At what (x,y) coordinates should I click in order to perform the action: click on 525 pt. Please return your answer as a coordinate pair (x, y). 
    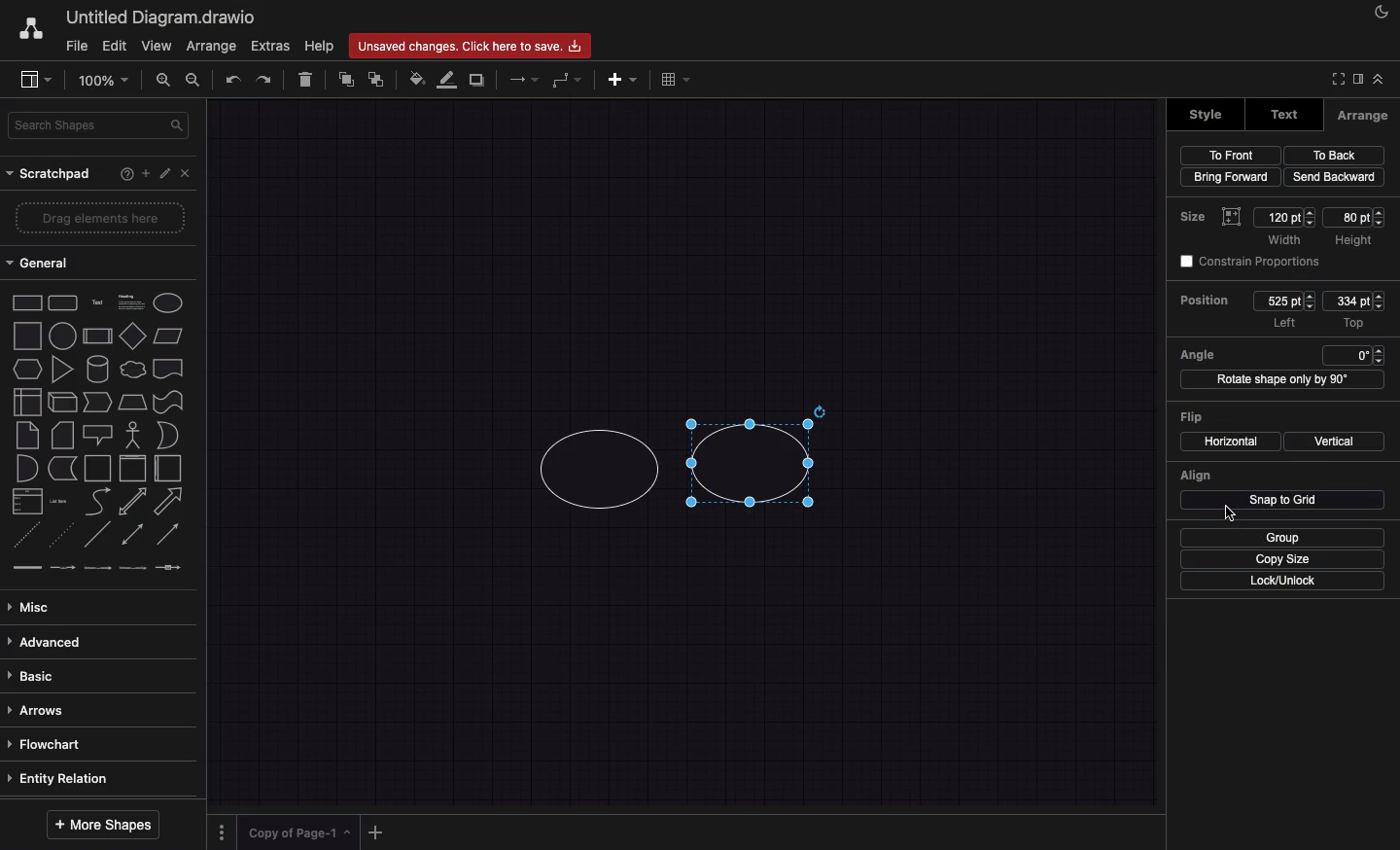
    Looking at the image, I should click on (1284, 301).